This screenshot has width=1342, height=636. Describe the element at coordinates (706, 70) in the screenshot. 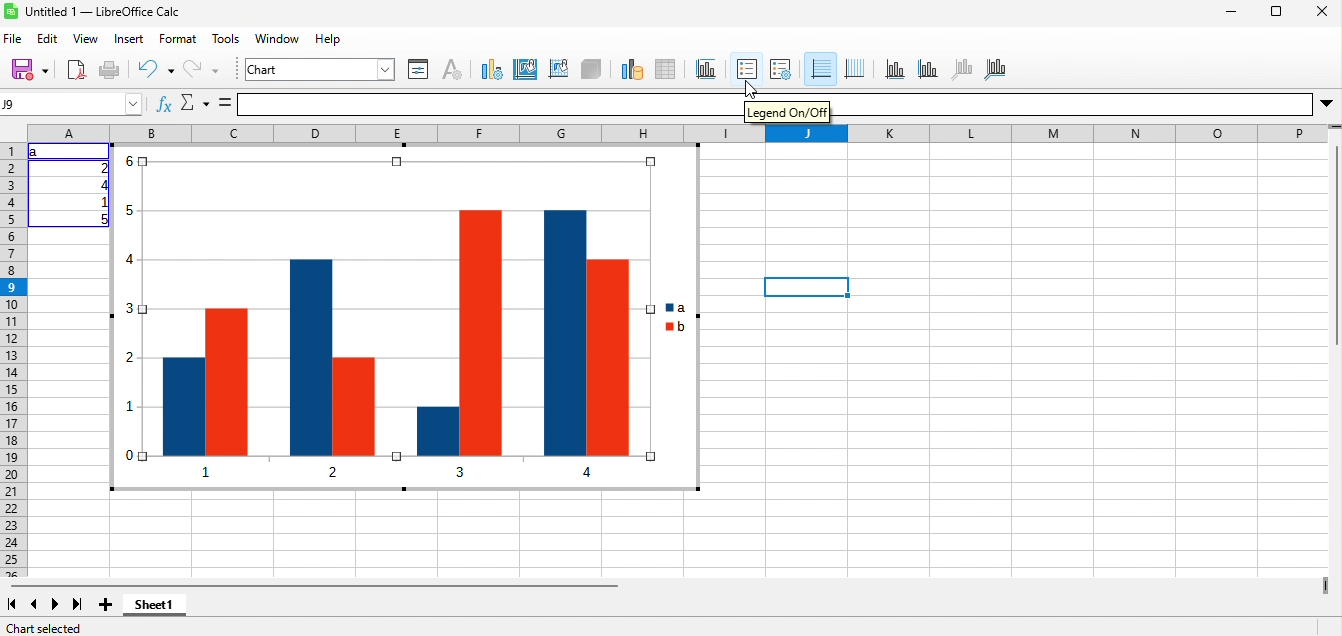

I see `title` at that location.